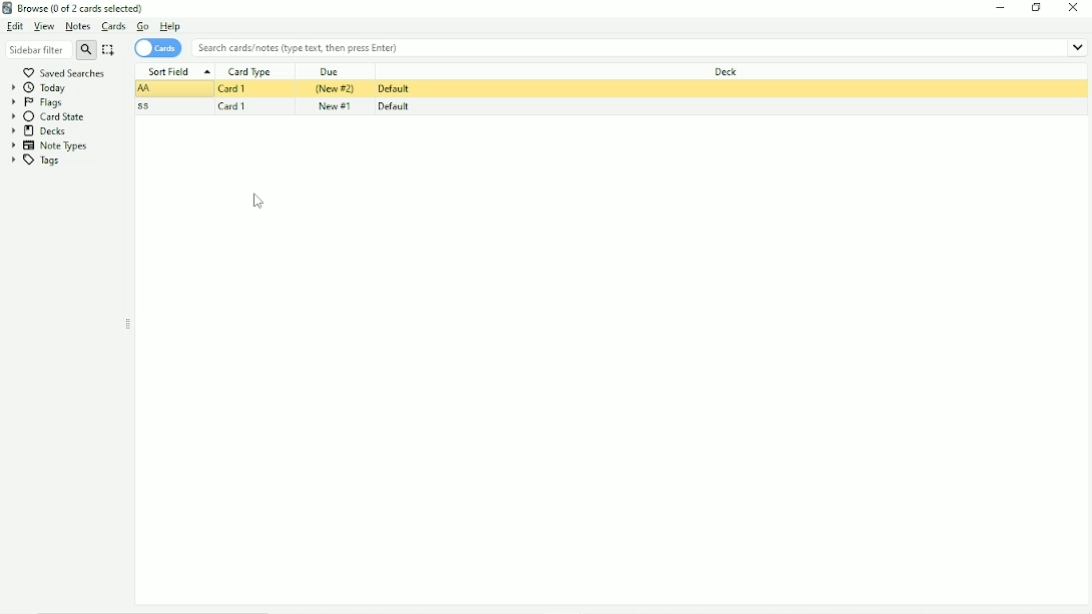  What do you see at coordinates (255, 70) in the screenshot?
I see `Card Type` at bounding box center [255, 70].